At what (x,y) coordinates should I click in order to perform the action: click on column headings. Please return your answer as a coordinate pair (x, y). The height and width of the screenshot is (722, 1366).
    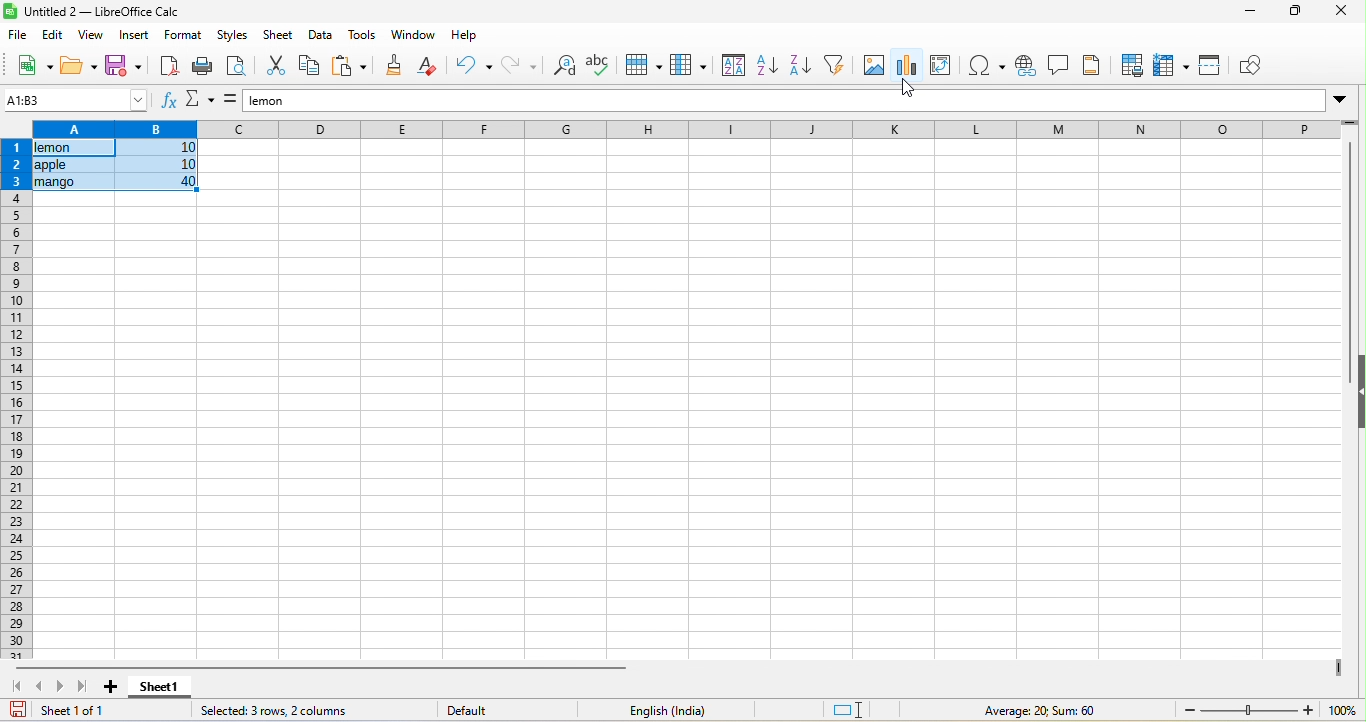
    Looking at the image, I should click on (679, 128).